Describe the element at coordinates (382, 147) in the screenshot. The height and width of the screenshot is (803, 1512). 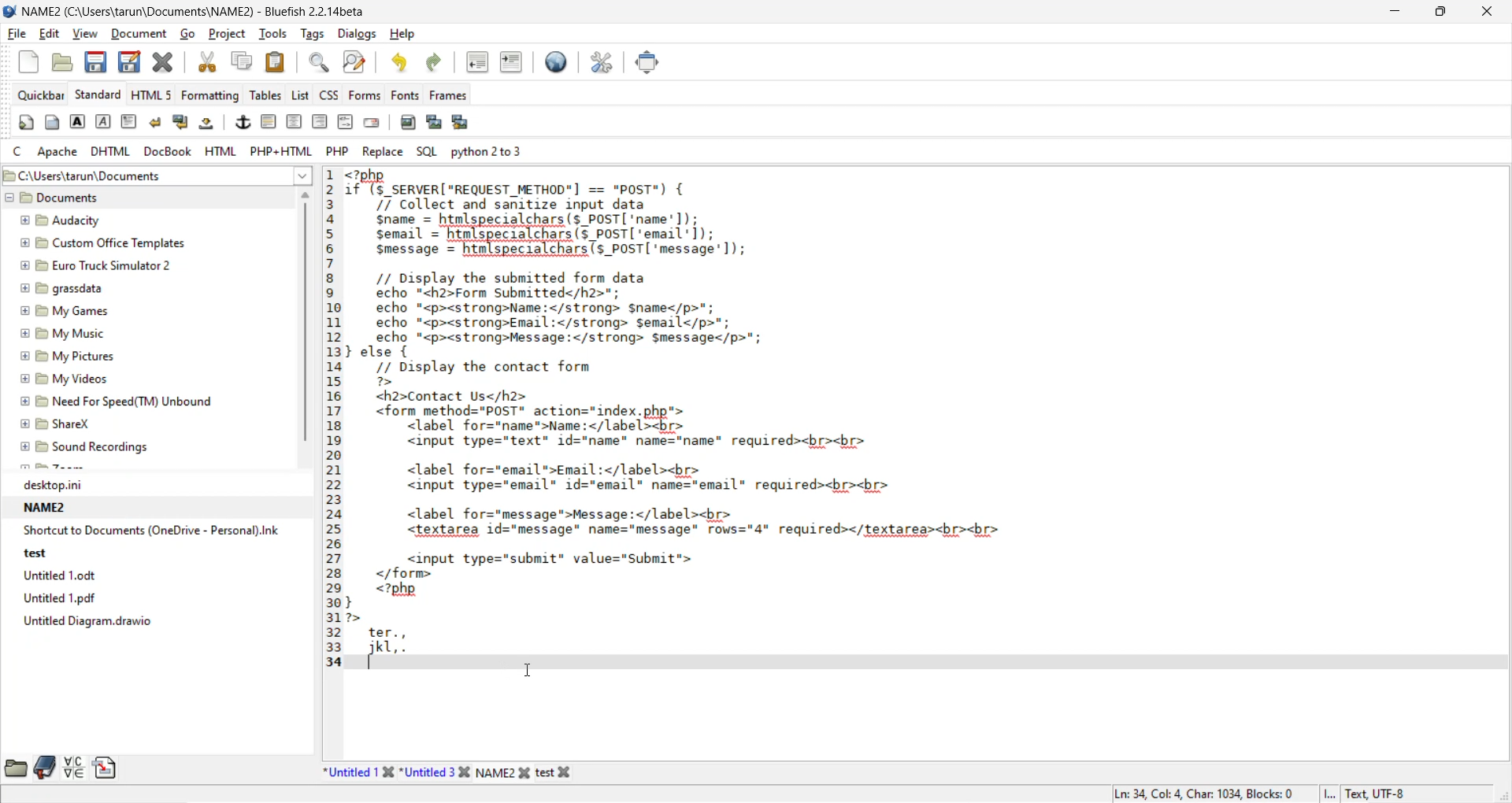
I see `replace` at that location.